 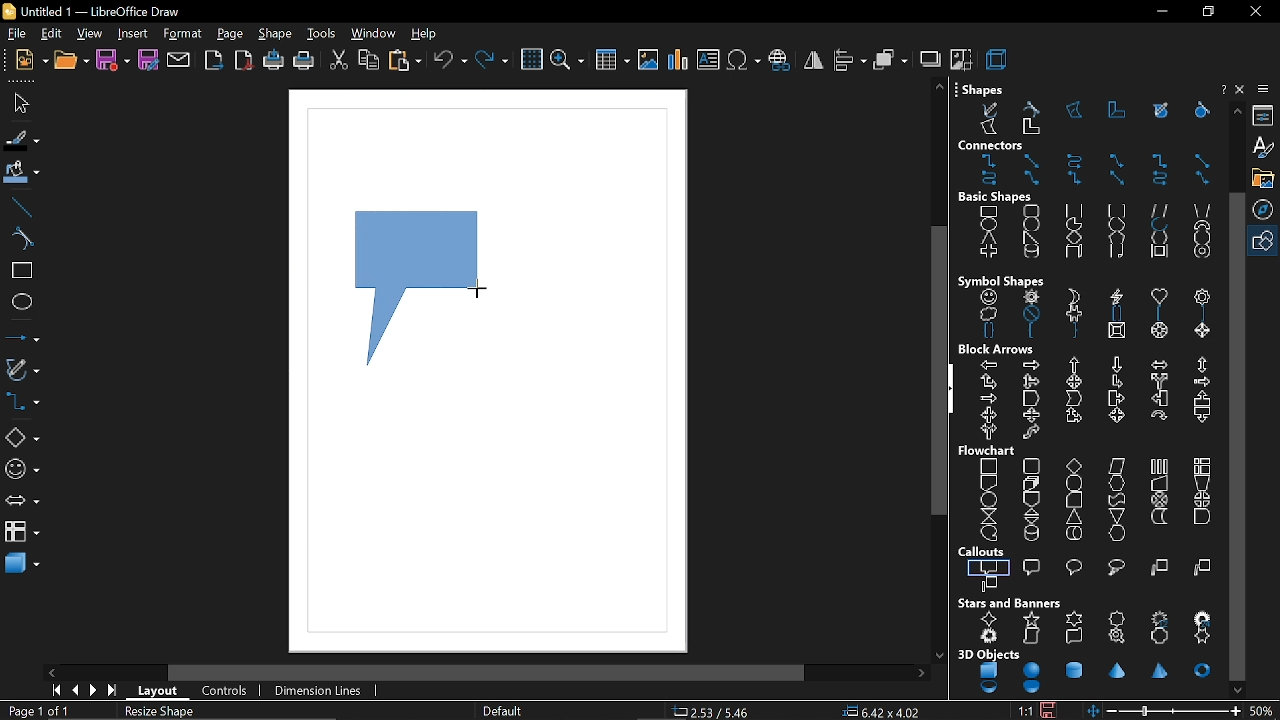 What do you see at coordinates (1201, 161) in the screenshot?
I see `straight connector` at bounding box center [1201, 161].